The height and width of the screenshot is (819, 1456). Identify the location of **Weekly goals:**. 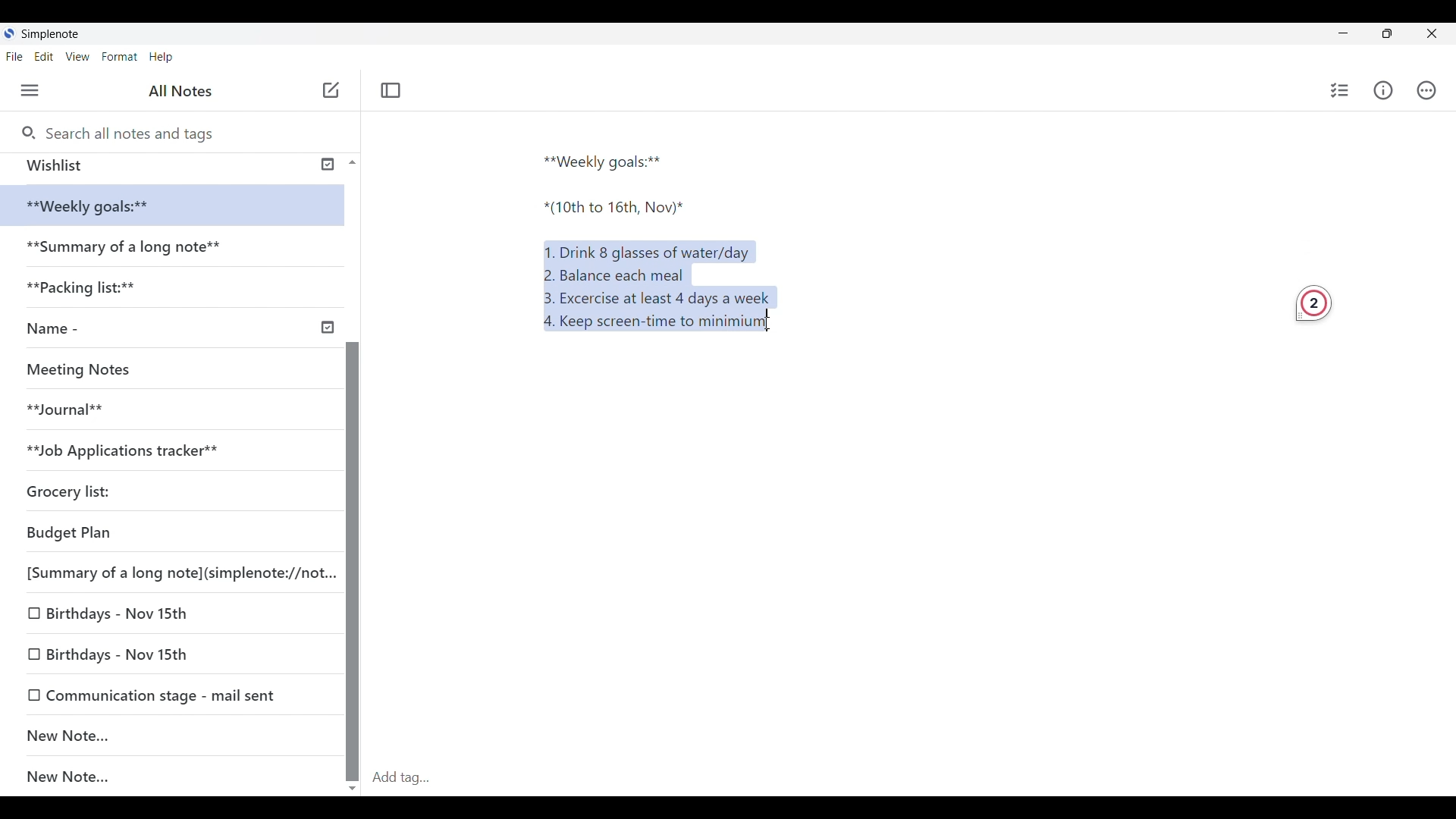
(609, 159).